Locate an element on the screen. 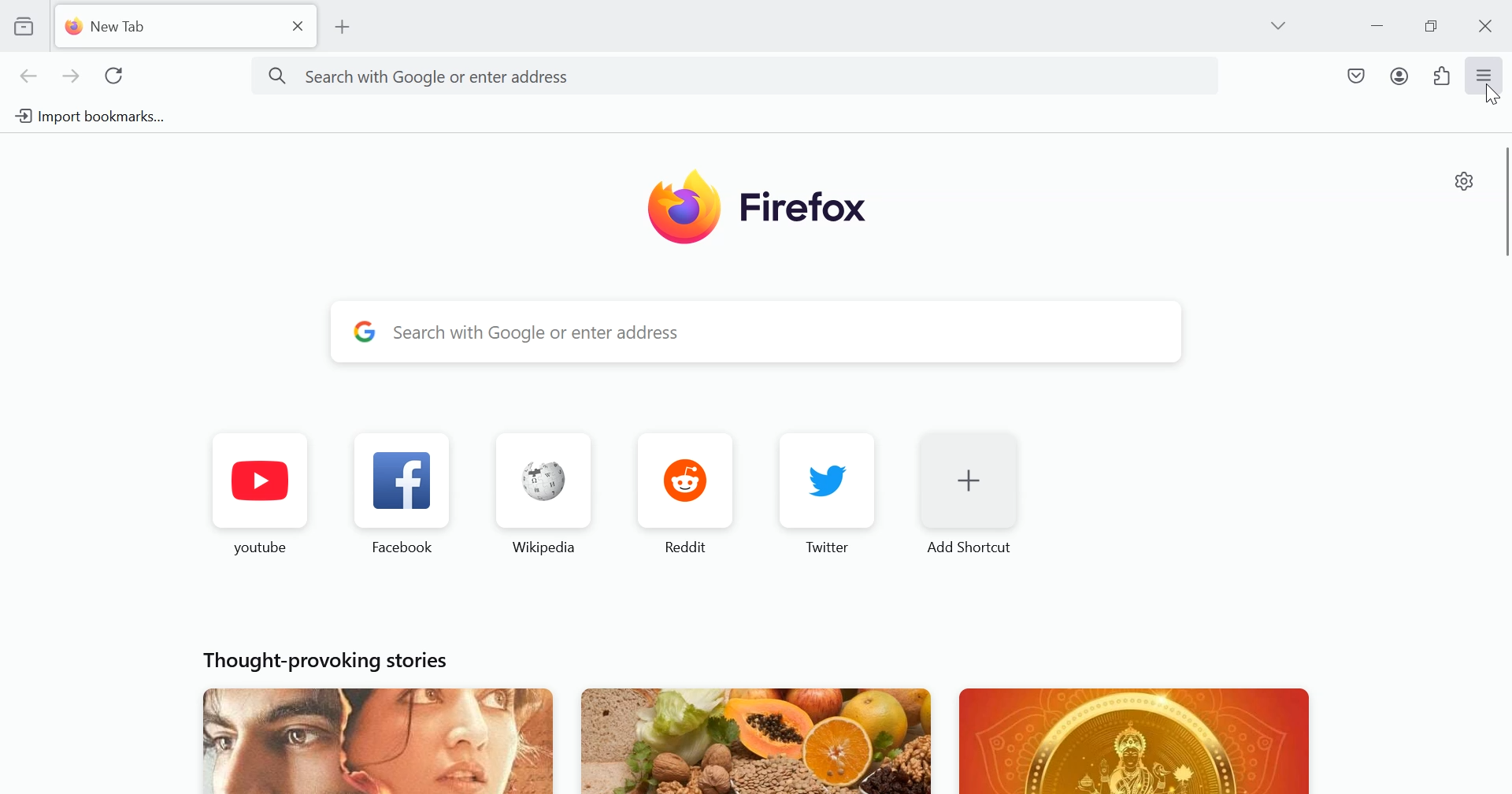 Image resolution: width=1512 pixels, height=794 pixels. Facebook is located at coordinates (406, 492).